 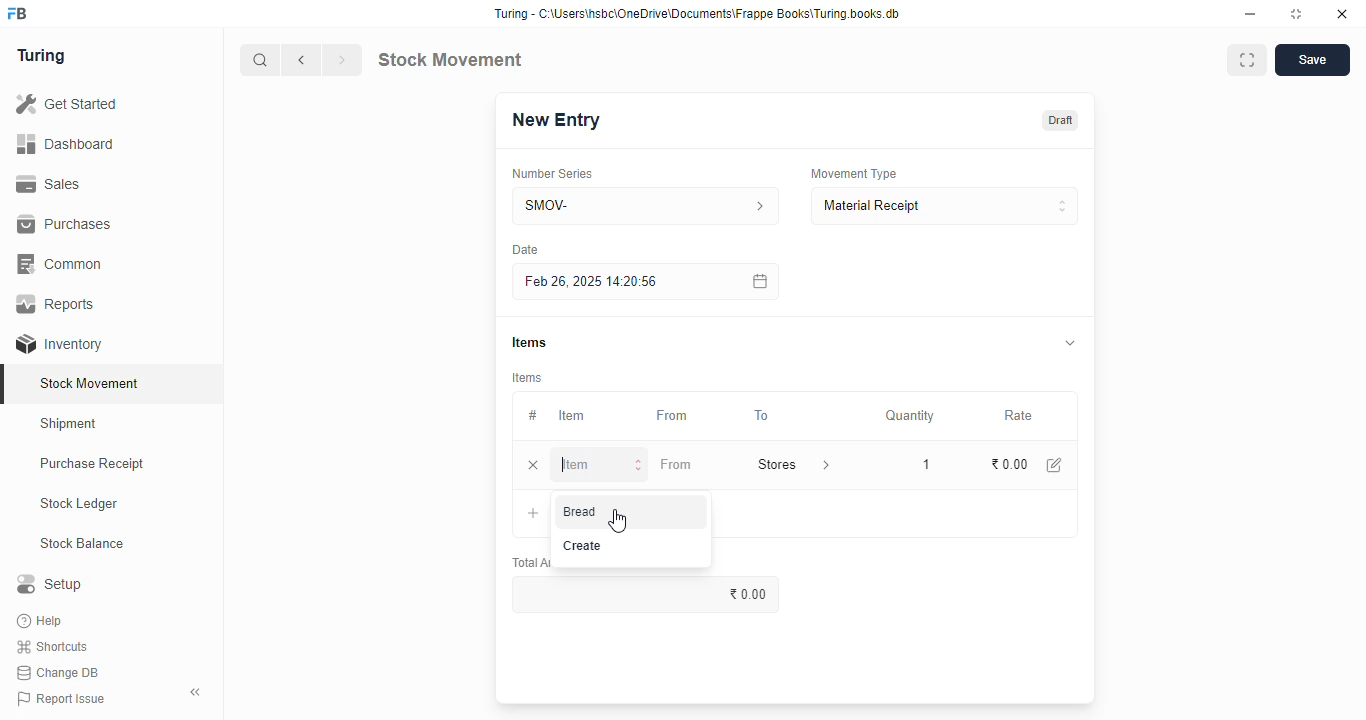 What do you see at coordinates (647, 205) in the screenshot?
I see `SMOV-` at bounding box center [647, 205].